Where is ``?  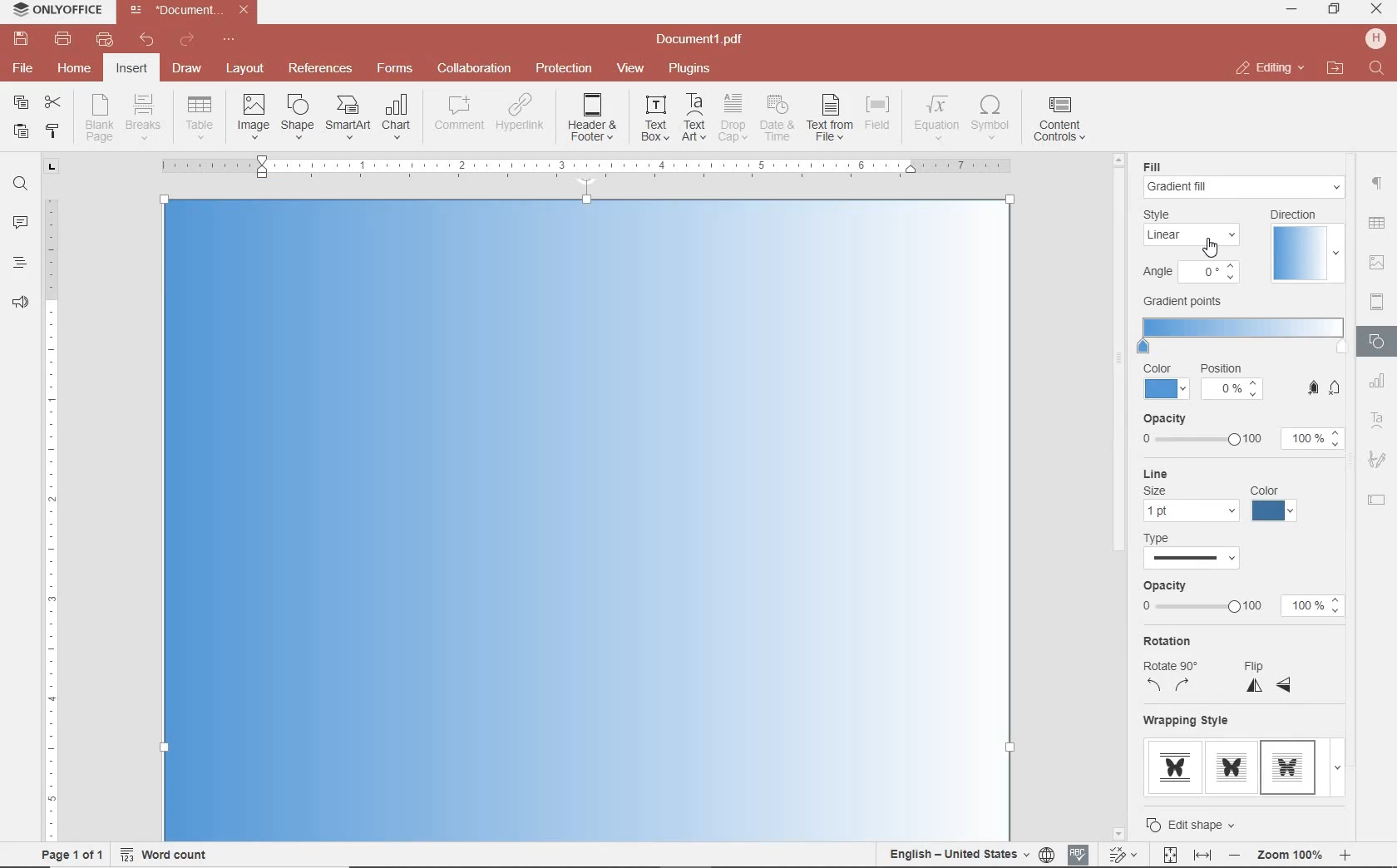  is located at coordinates (1290, 856).